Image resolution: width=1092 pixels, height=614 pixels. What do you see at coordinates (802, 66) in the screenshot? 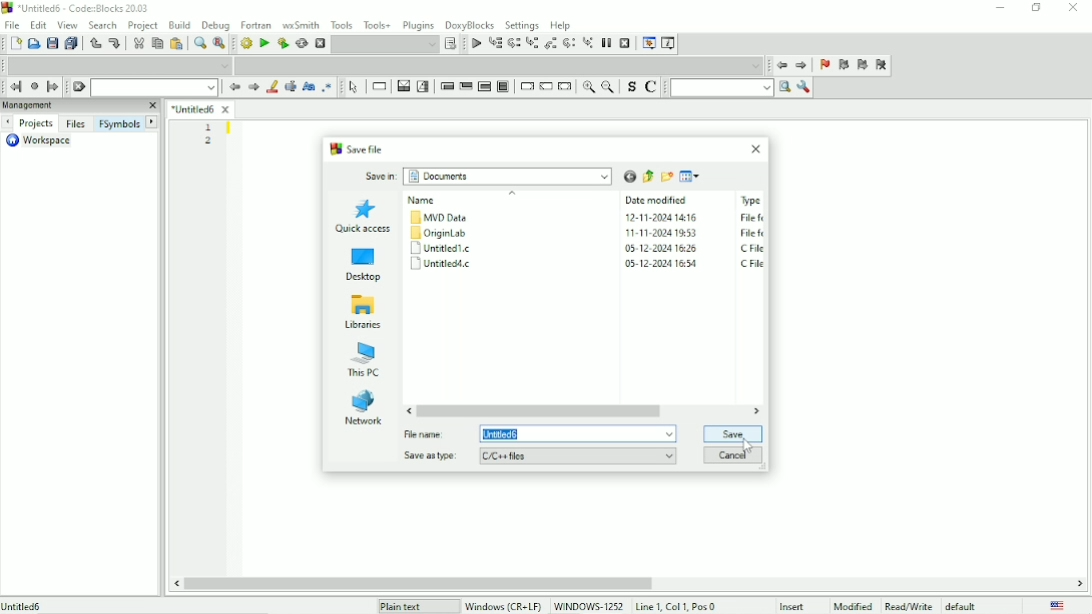
I see `Jump forward` at bounding box center [802, 66].